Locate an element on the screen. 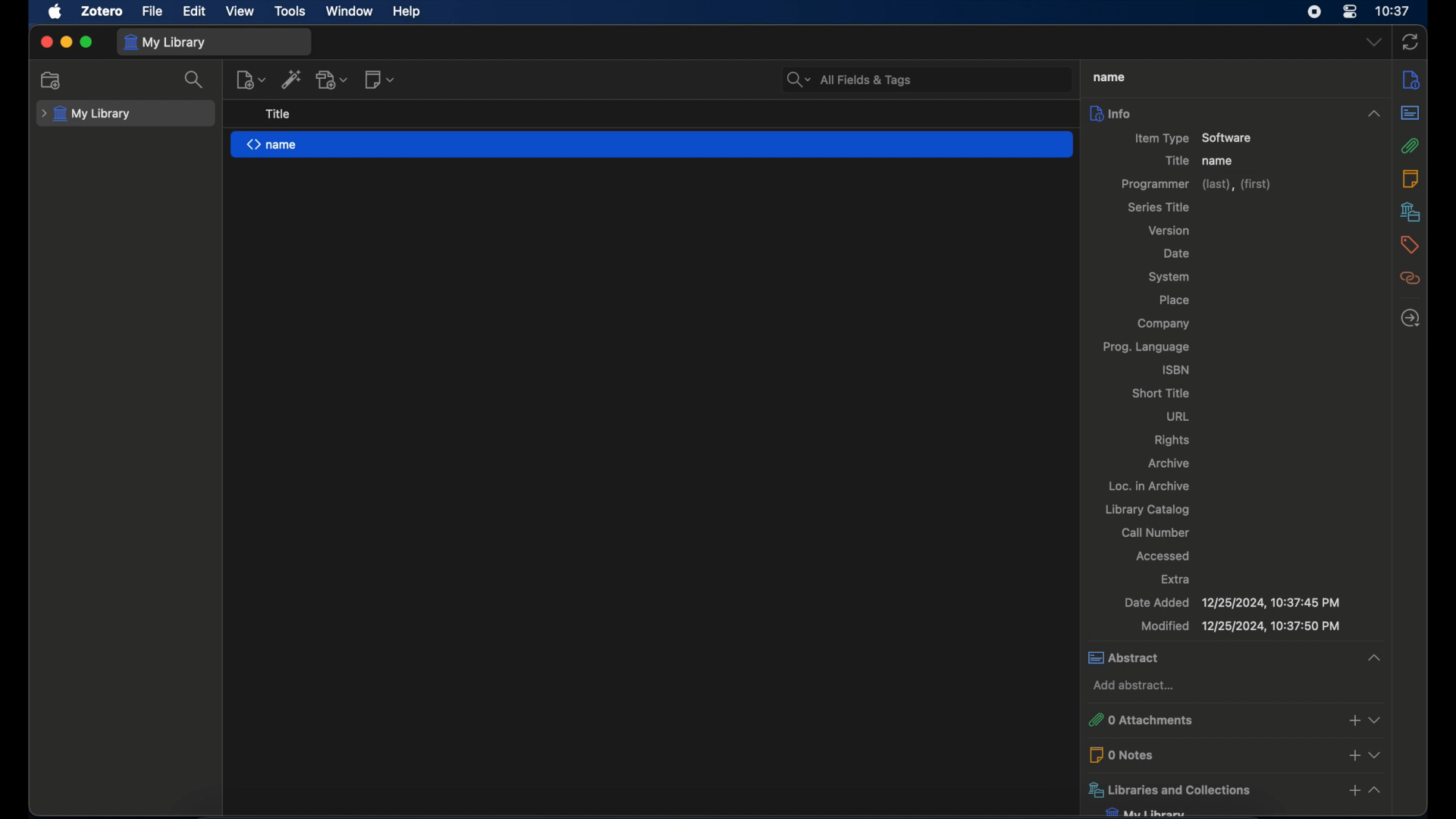 The image size is (1456, 819). loc. in archive is located at coordinates (1150, 485).